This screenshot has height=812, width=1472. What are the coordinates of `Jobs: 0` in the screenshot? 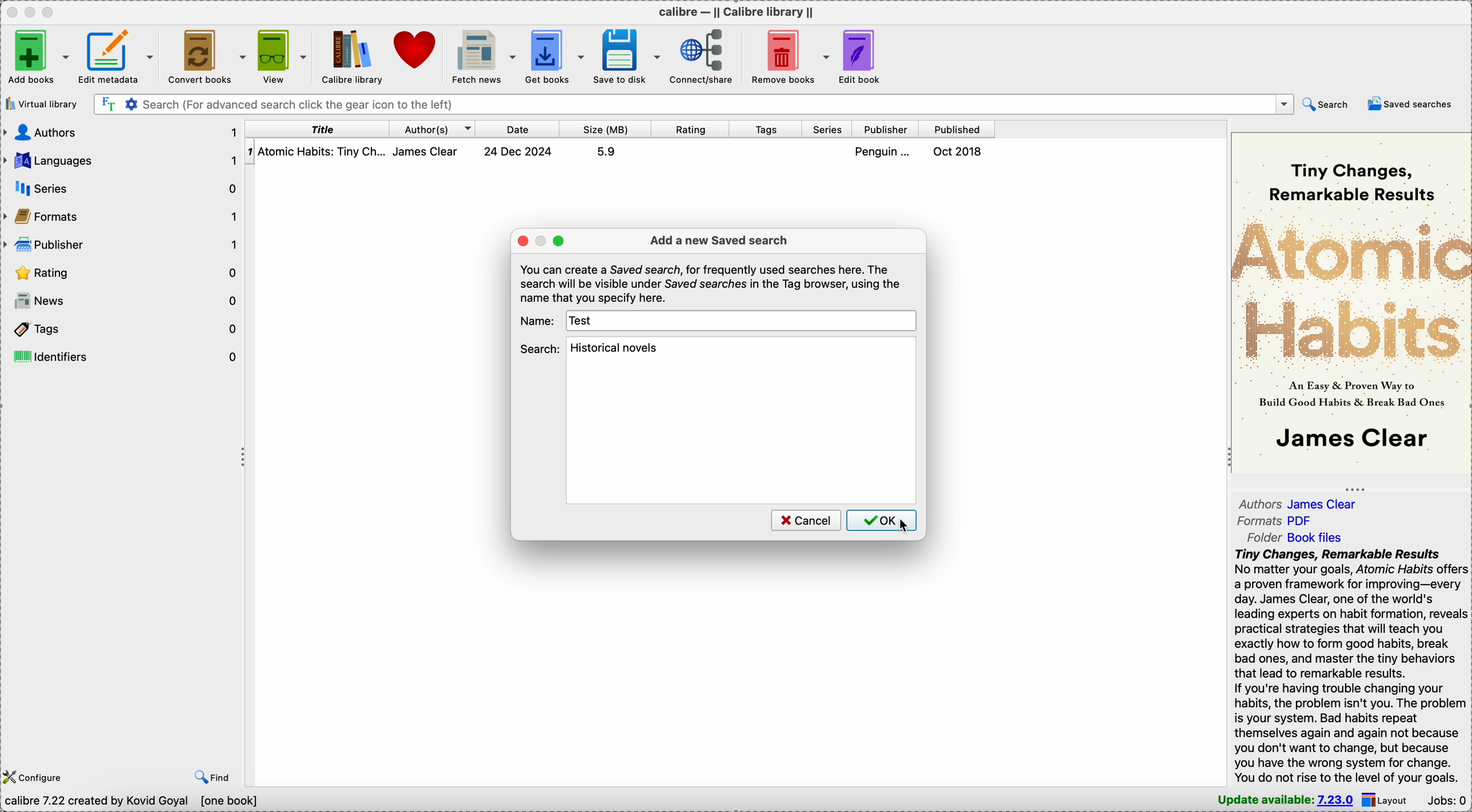 It's located at (1448, 799).